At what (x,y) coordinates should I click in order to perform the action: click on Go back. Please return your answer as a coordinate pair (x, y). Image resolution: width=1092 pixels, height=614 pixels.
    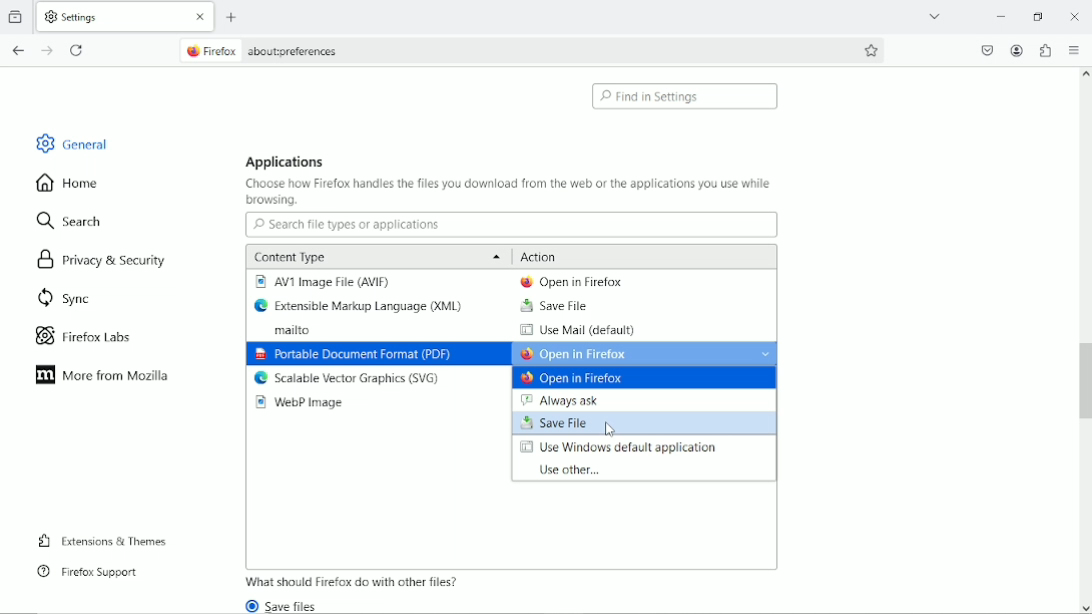
    Looking at the image, I should click on (18, 51).